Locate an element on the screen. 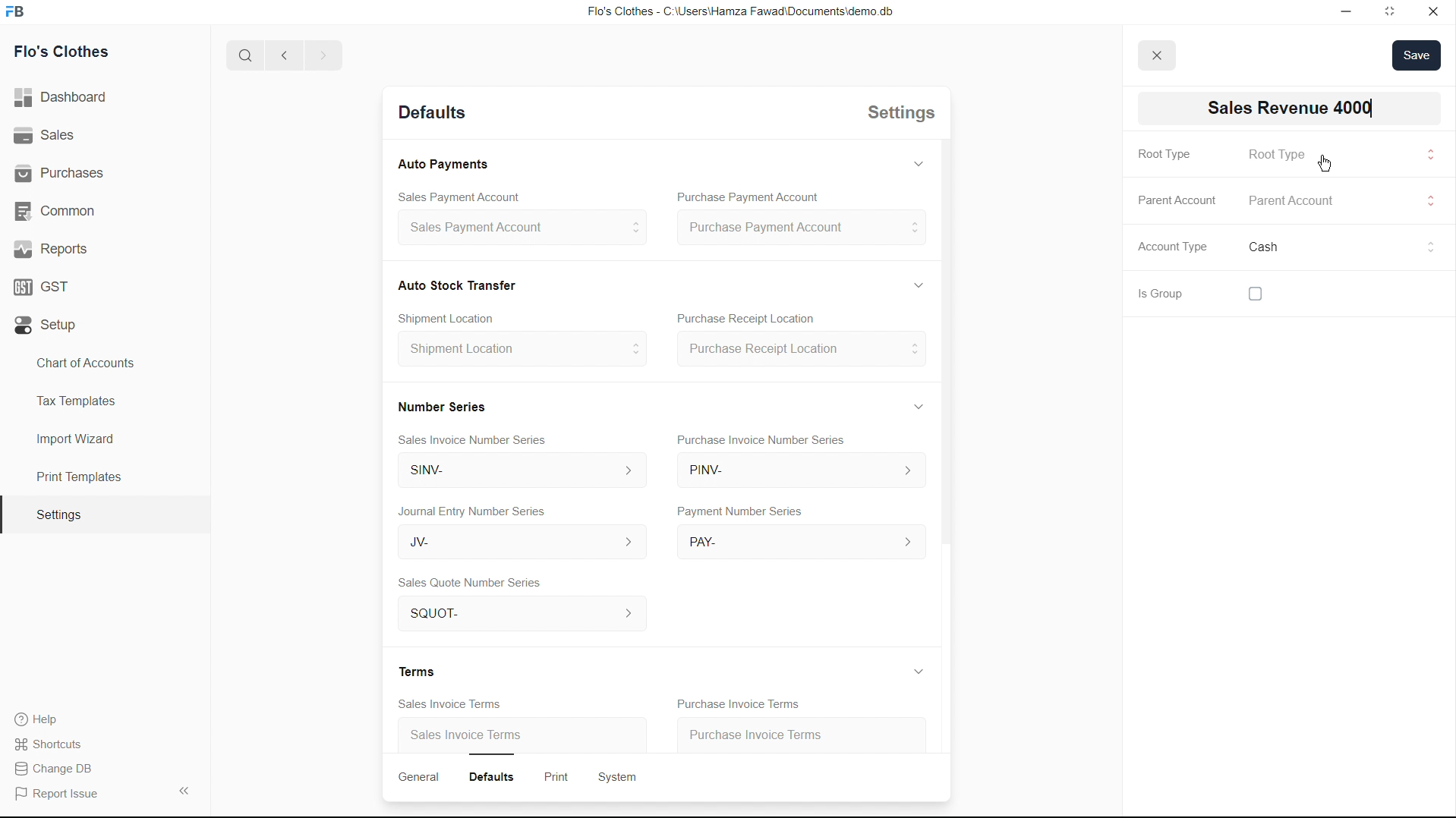 The height and width of the screenshot is (818, 1456). Print Templates is located at coordinates (77, 477).